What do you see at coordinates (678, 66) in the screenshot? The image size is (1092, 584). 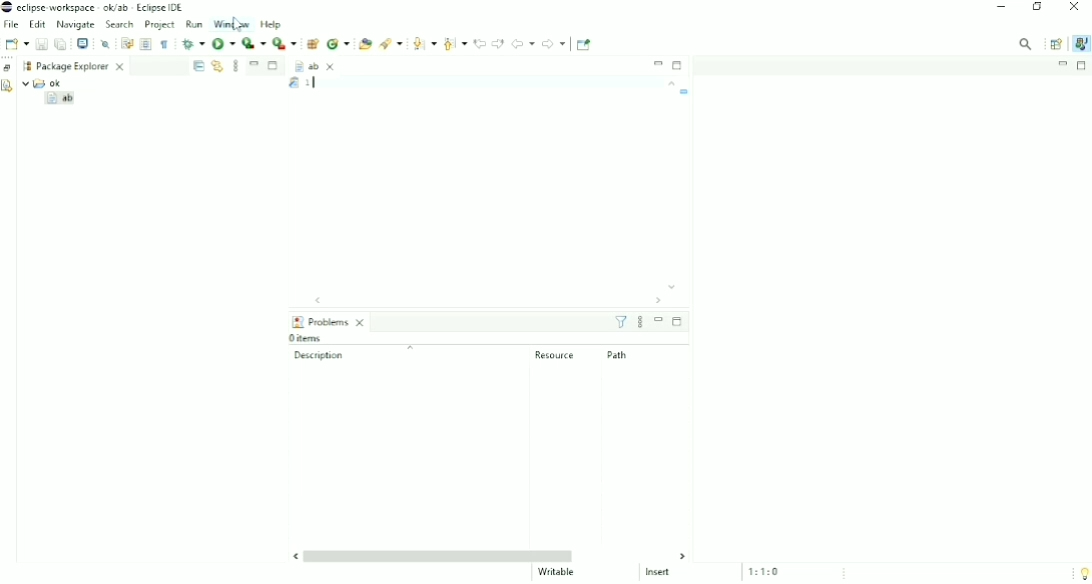 I see `Maximize` at bounding box center [678, 66].